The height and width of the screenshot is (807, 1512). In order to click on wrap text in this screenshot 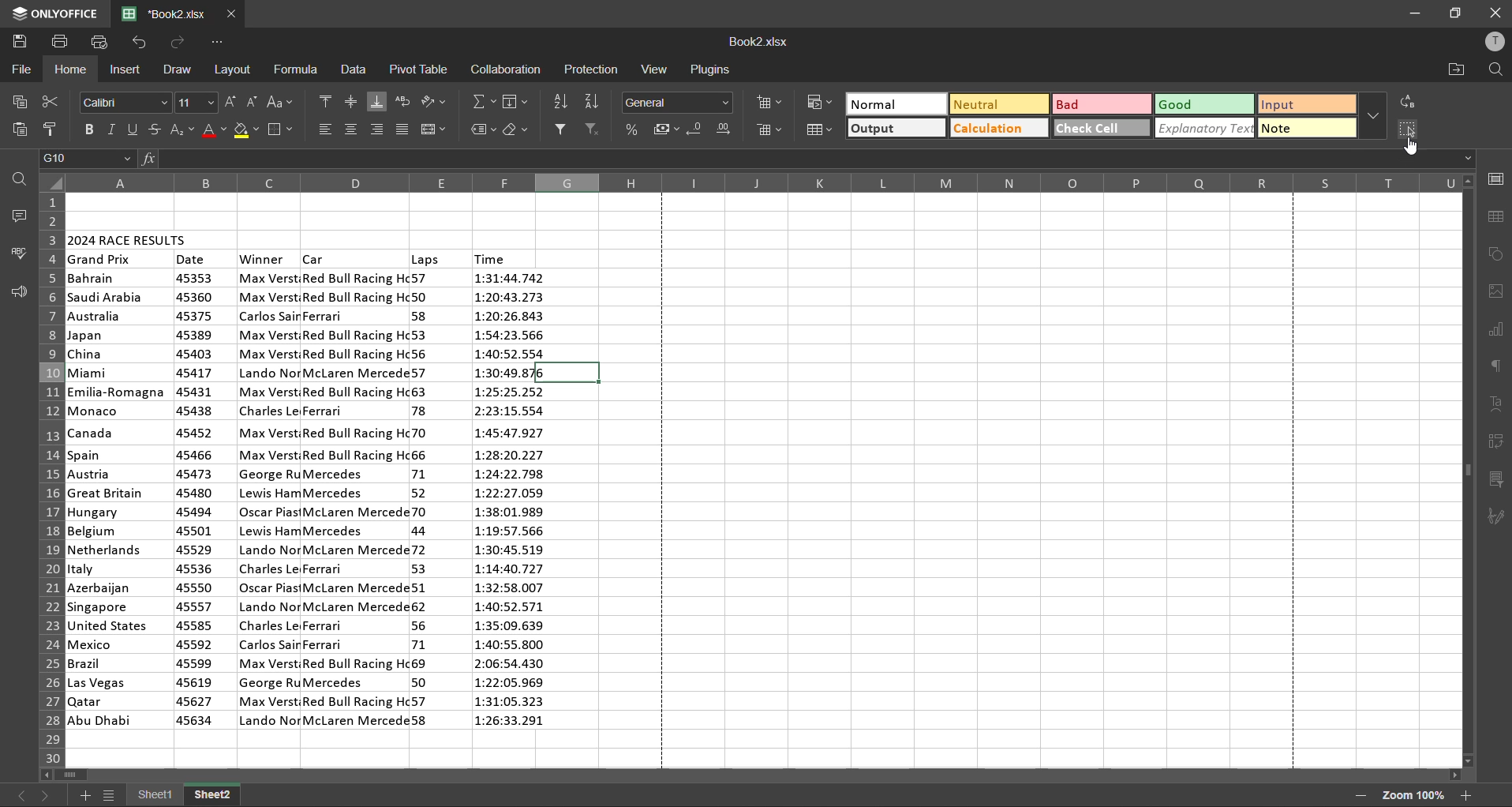, I will do `click(405, 103)`.